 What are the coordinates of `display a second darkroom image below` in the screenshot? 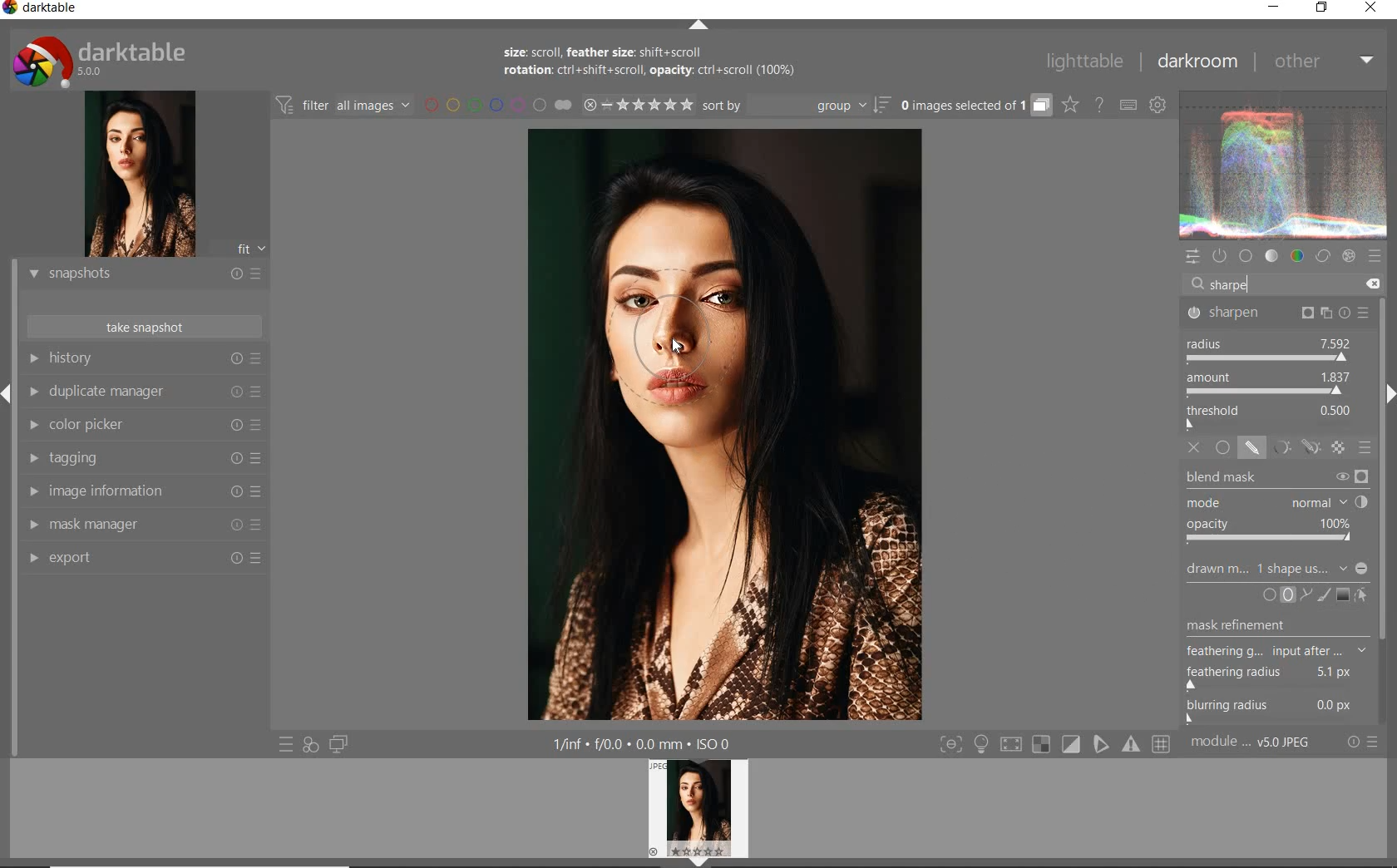 It's located at (340, 743).